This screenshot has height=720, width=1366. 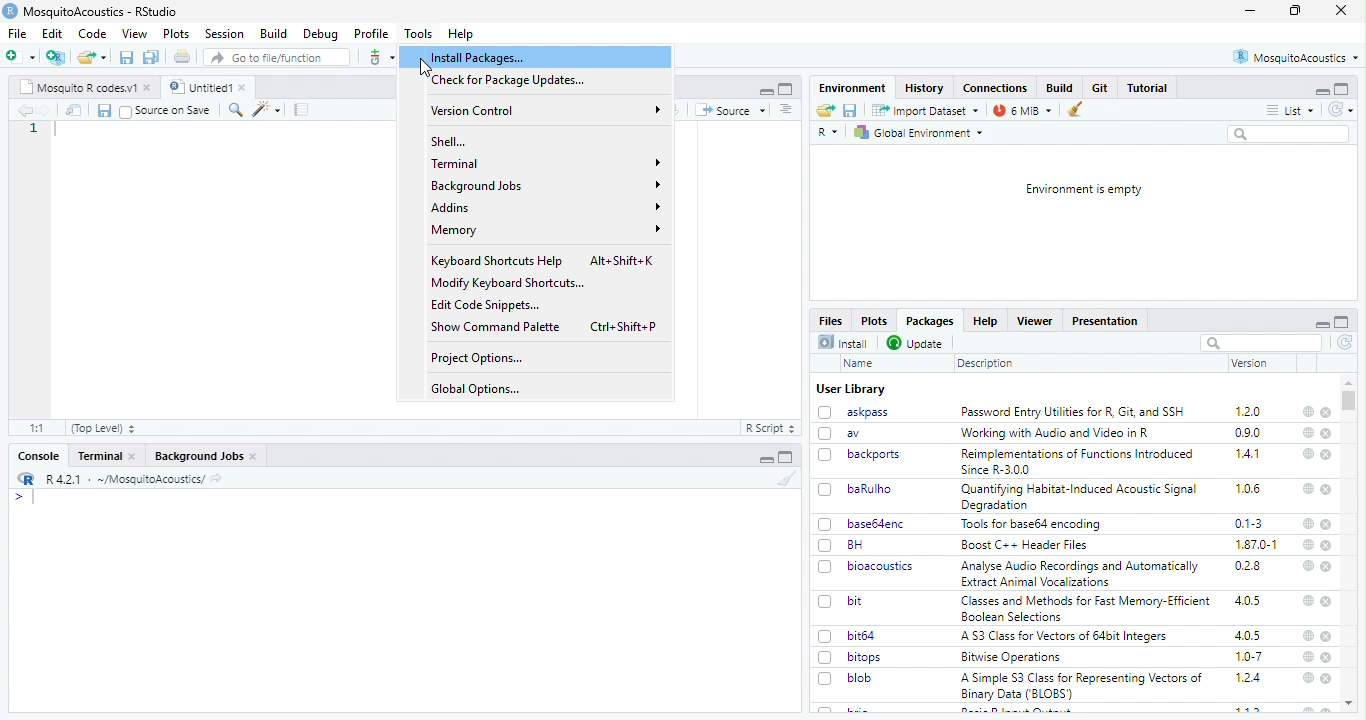 I want to click on list, so click(x=1291, y=111).